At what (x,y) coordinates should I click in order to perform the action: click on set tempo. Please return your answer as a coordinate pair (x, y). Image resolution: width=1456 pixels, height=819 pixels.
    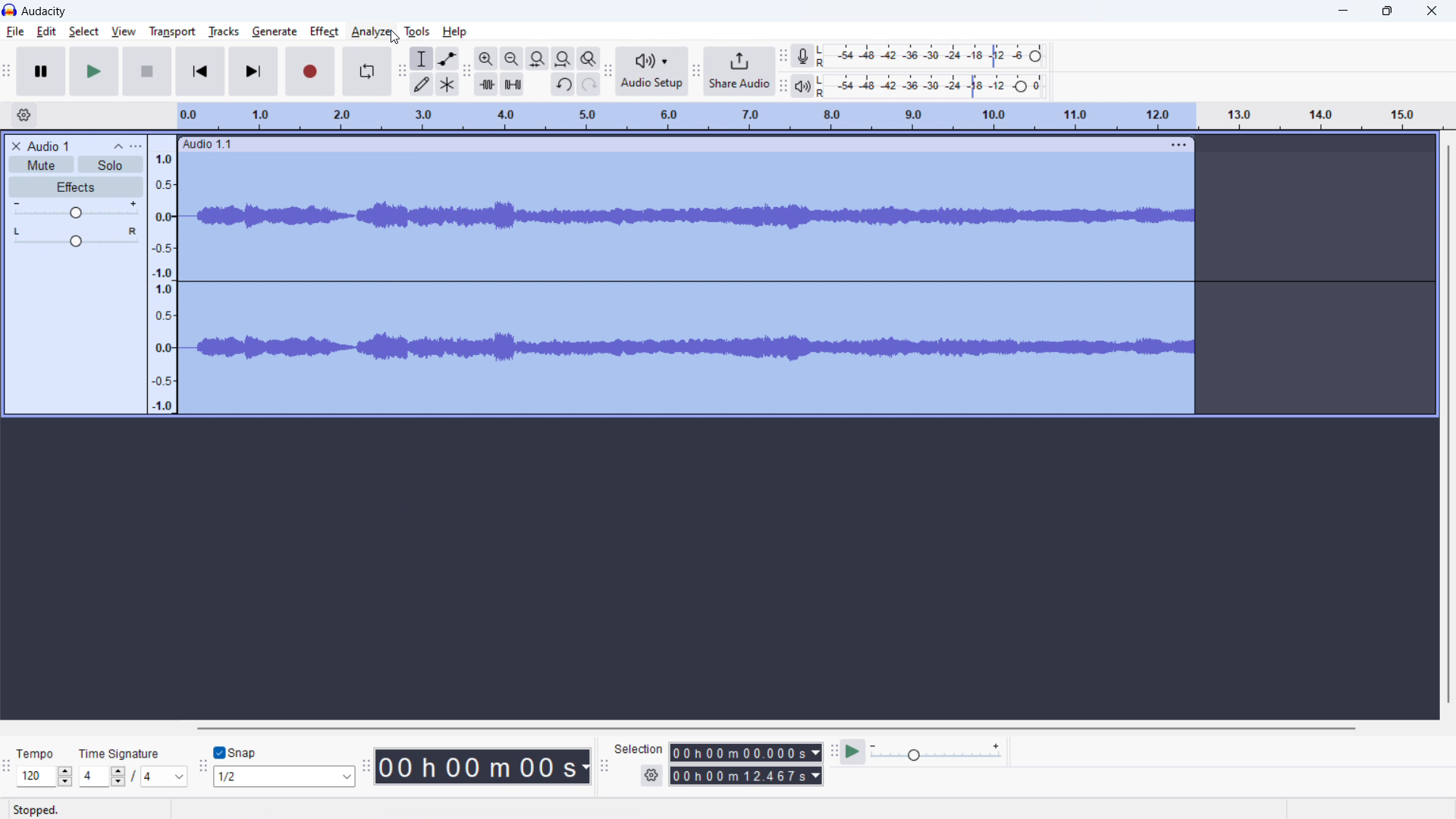
    Looking at the image, I should click on (44, 776).